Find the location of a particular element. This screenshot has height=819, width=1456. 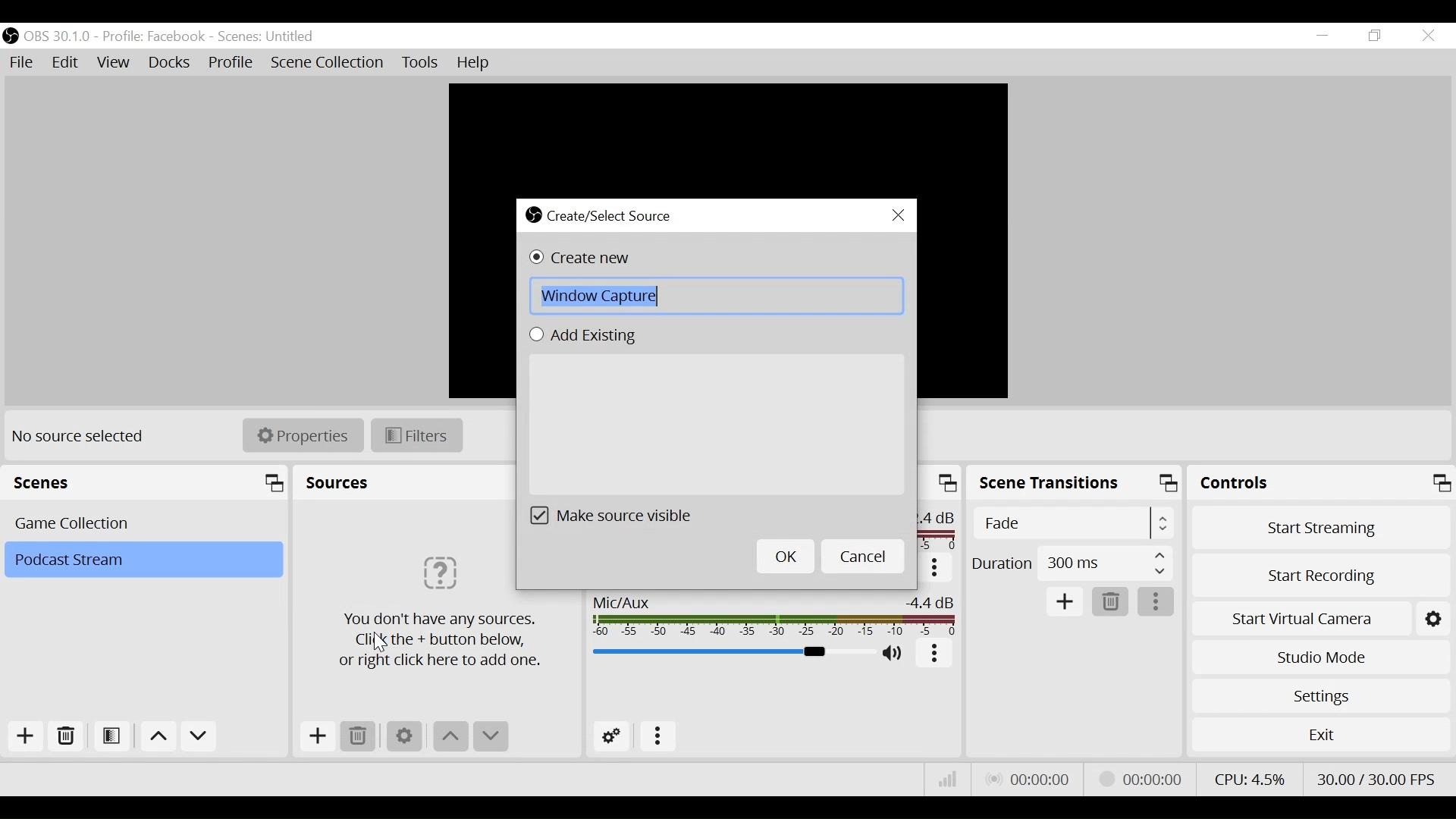

File is located at coordinates (24, 64).